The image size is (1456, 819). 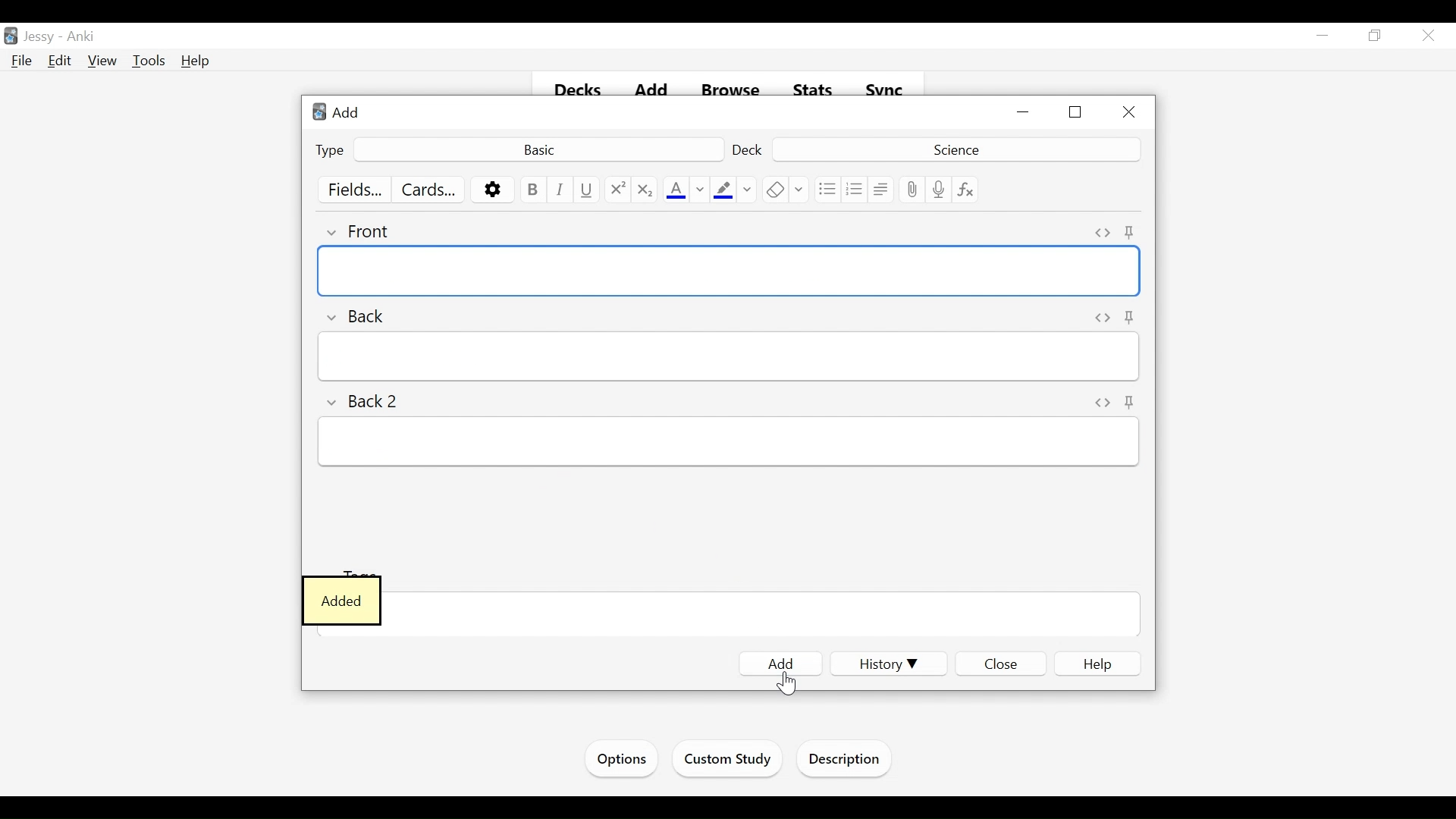 I want to click on Decks, so click(x=579, y=91).